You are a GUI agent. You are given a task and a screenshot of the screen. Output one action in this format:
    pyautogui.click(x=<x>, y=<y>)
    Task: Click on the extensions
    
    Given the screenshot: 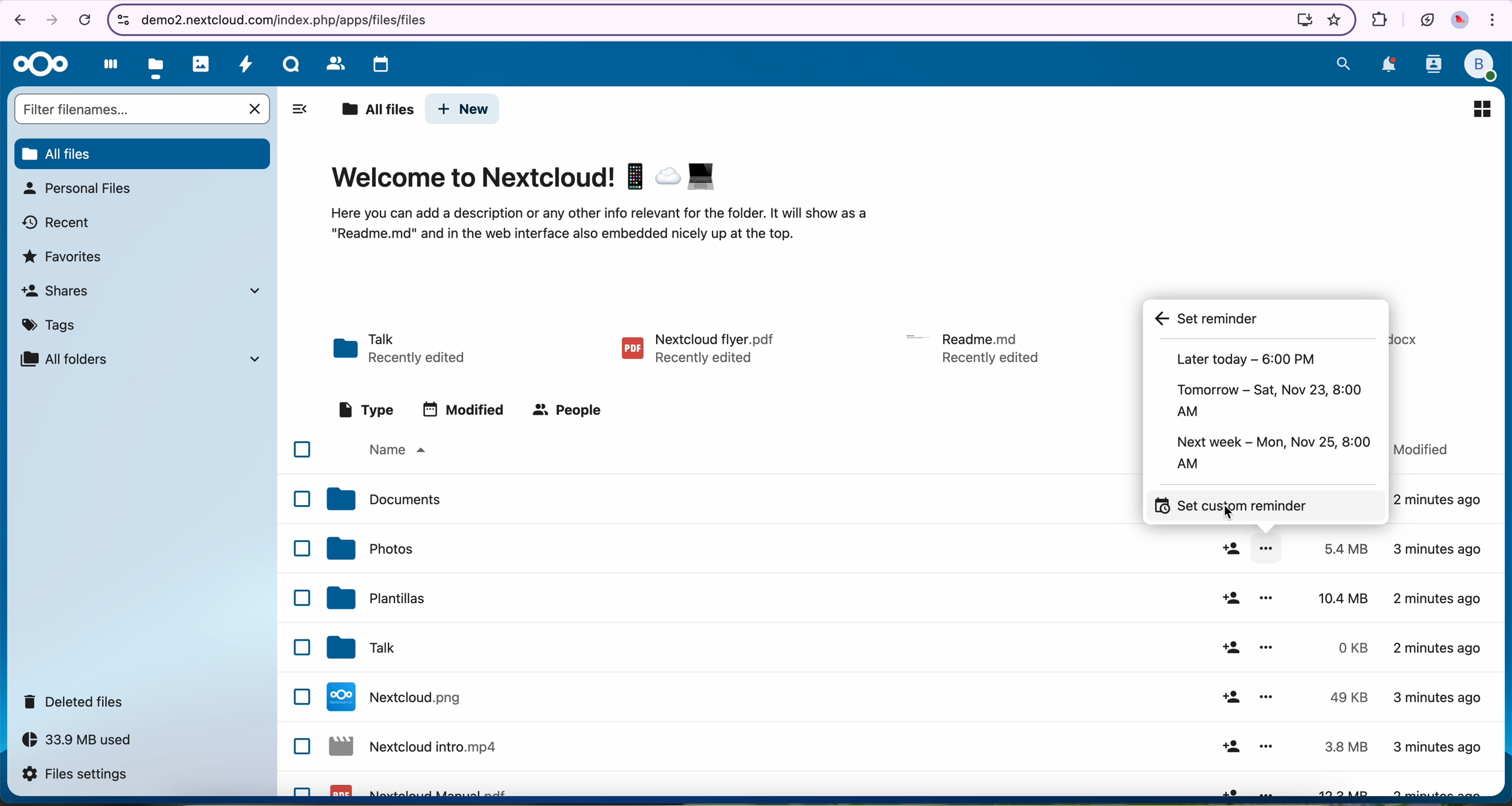 What is the action you would take?
    pyautogui.click(x=1377, y=18)
    